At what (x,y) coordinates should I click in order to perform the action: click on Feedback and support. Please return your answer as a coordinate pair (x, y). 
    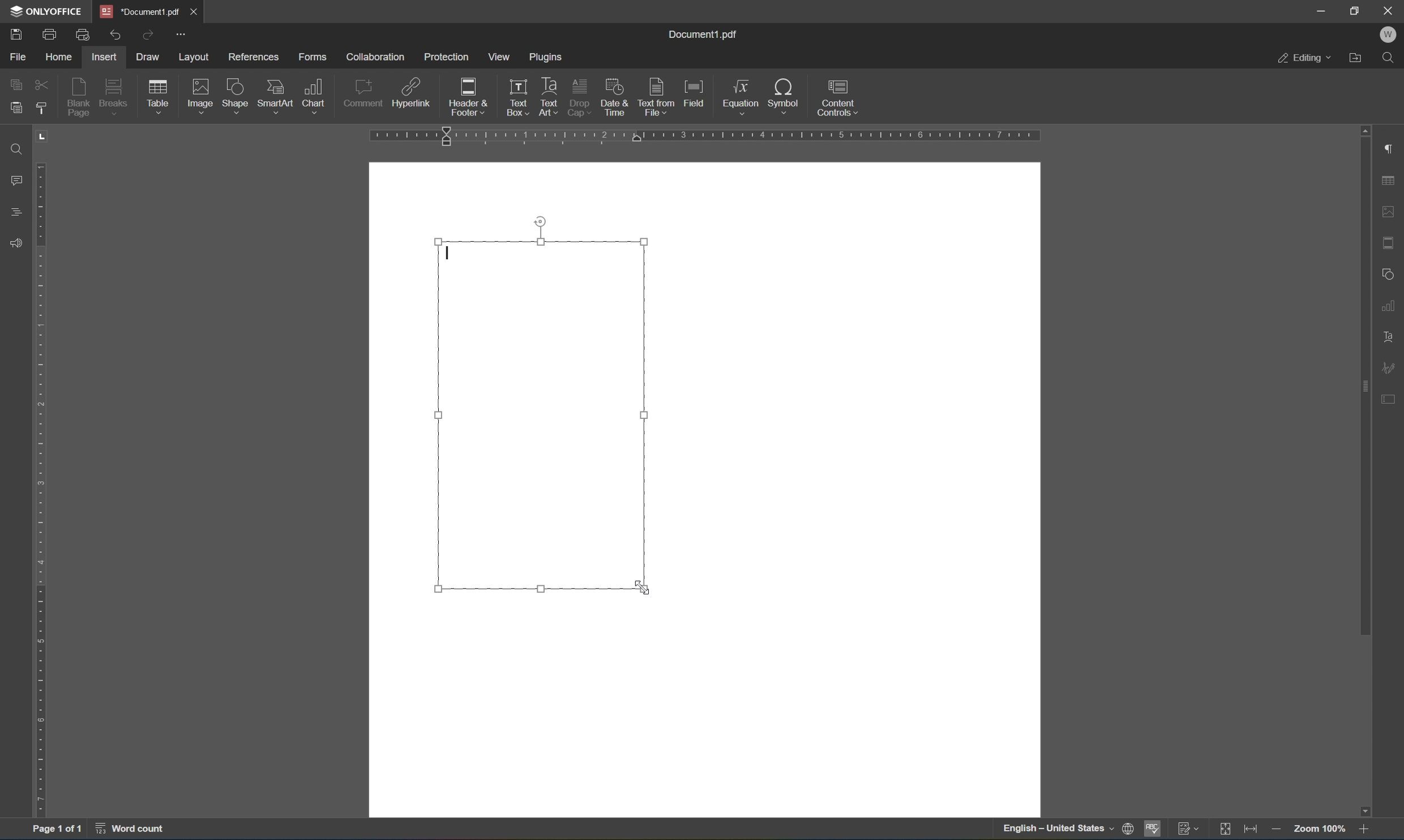
    Looking at the image, I should click on (14, 243).